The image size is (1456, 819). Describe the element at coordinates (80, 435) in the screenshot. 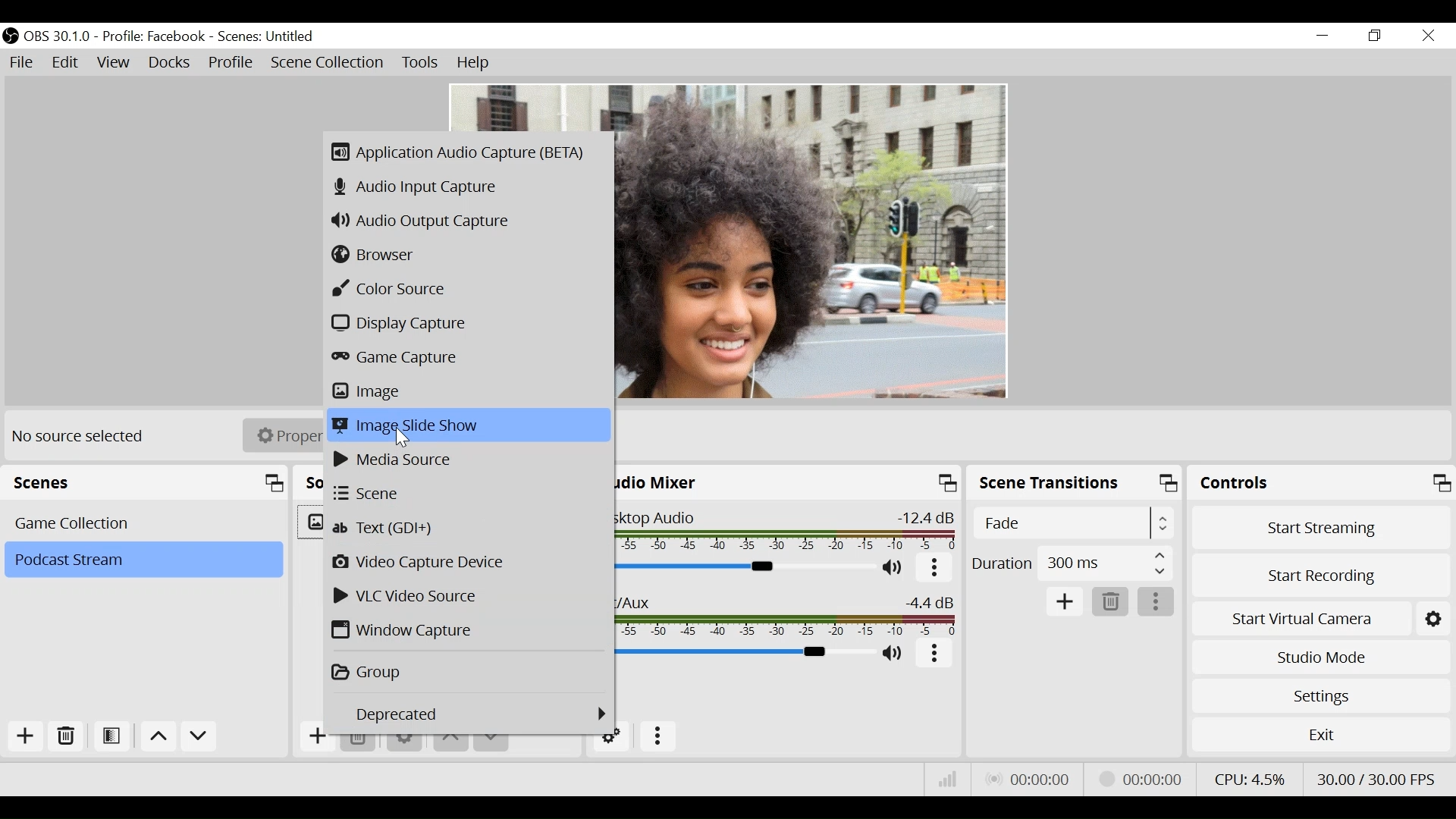

I see `No Source Selected` at that location.